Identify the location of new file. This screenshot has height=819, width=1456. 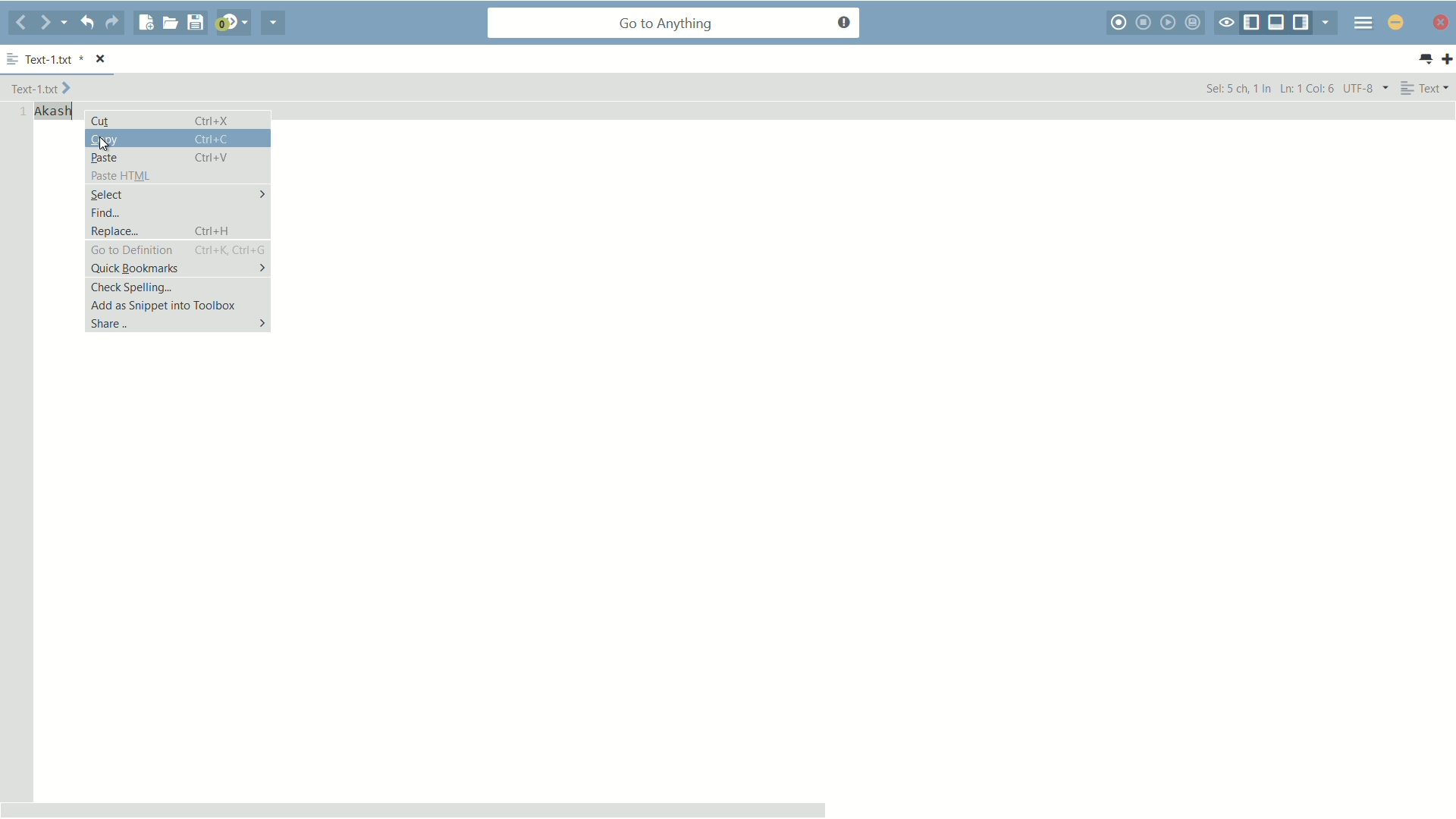
(146, 23).